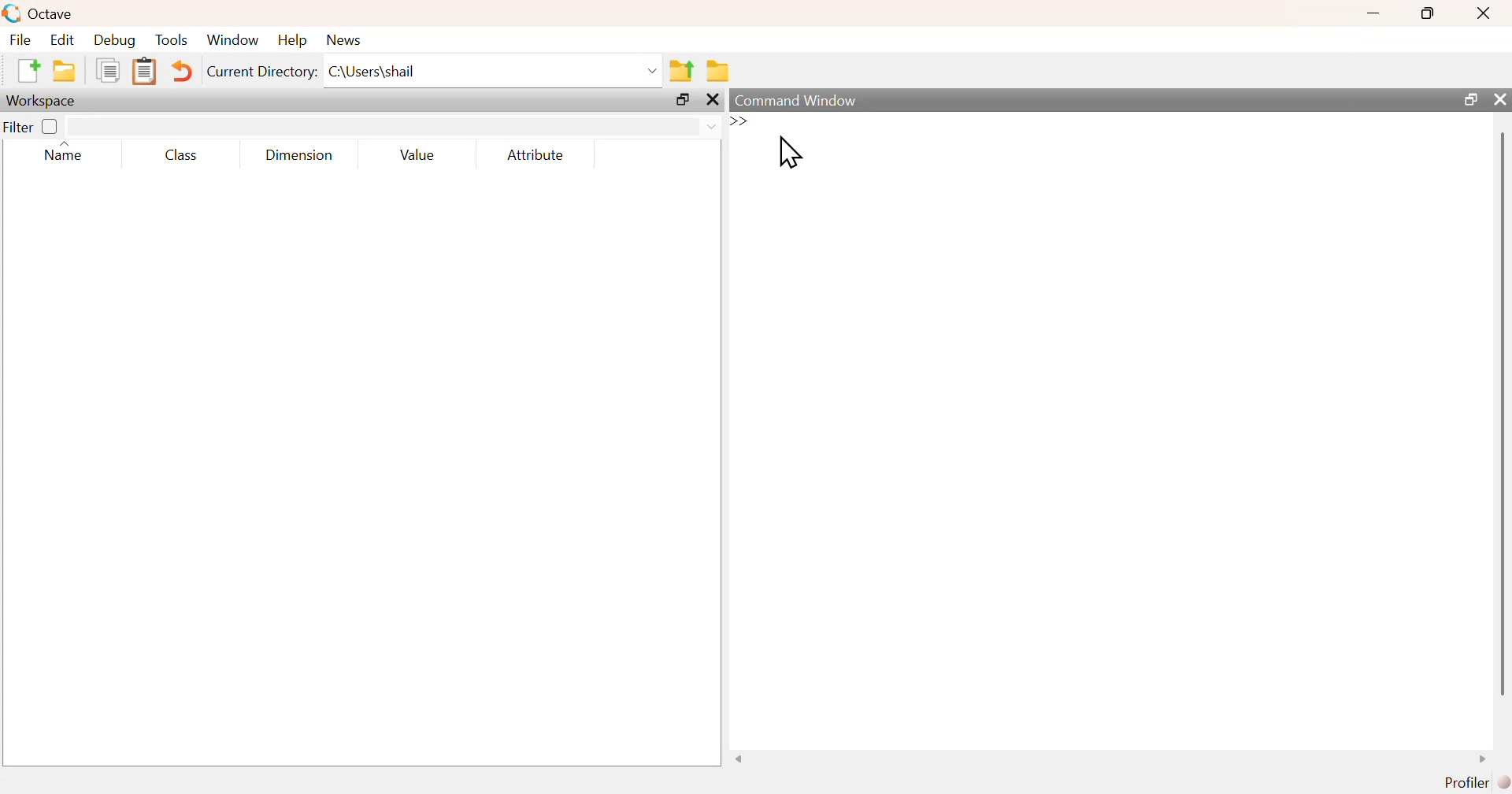 The height and width of the screenshot is (794, 1512). What do you see at coordinates (739, 759) in the screenshot?
I see `scroll left` at bounding box center [739, 759].